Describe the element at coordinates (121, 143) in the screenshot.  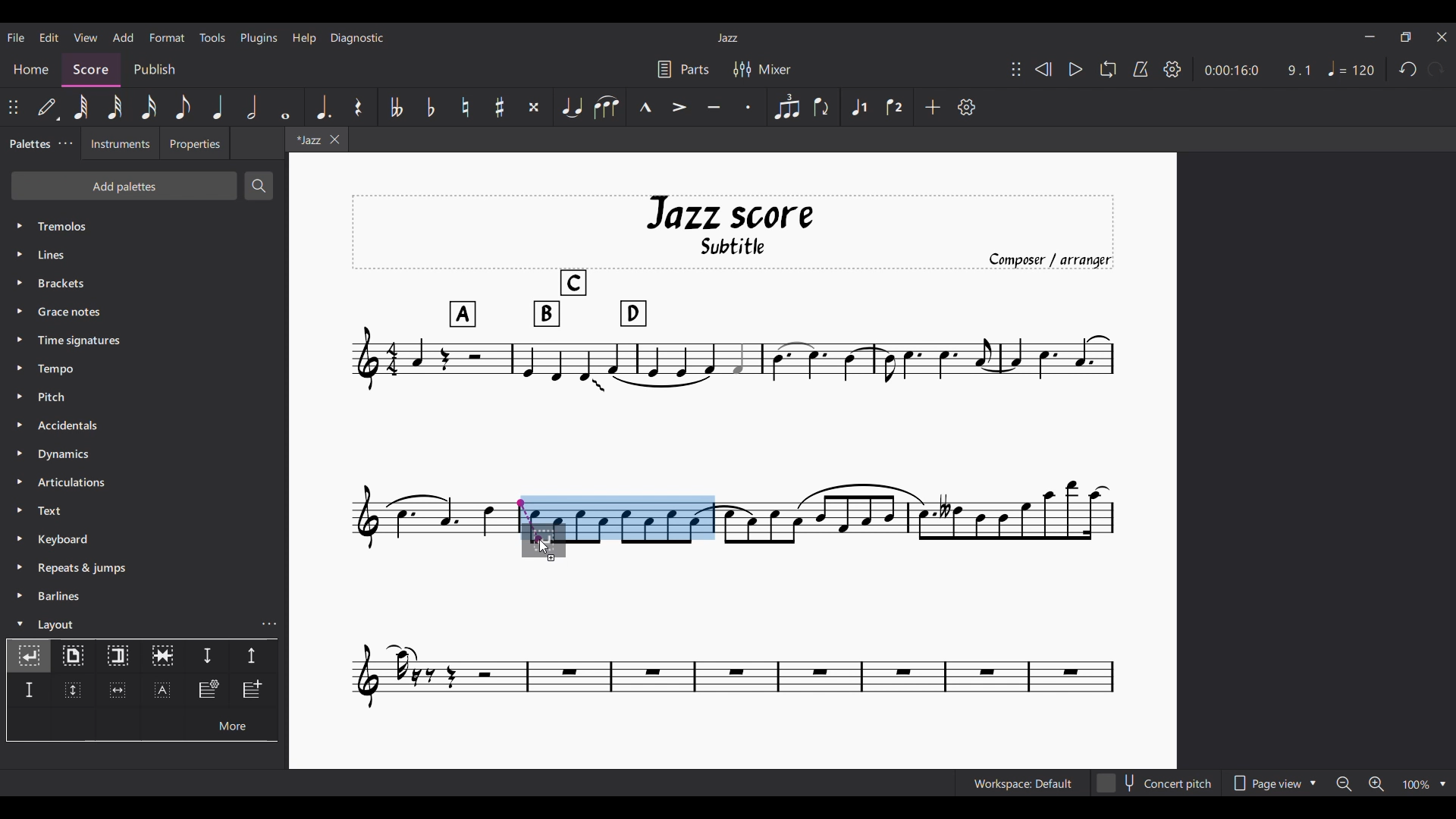
I see `Instruments` at that location.